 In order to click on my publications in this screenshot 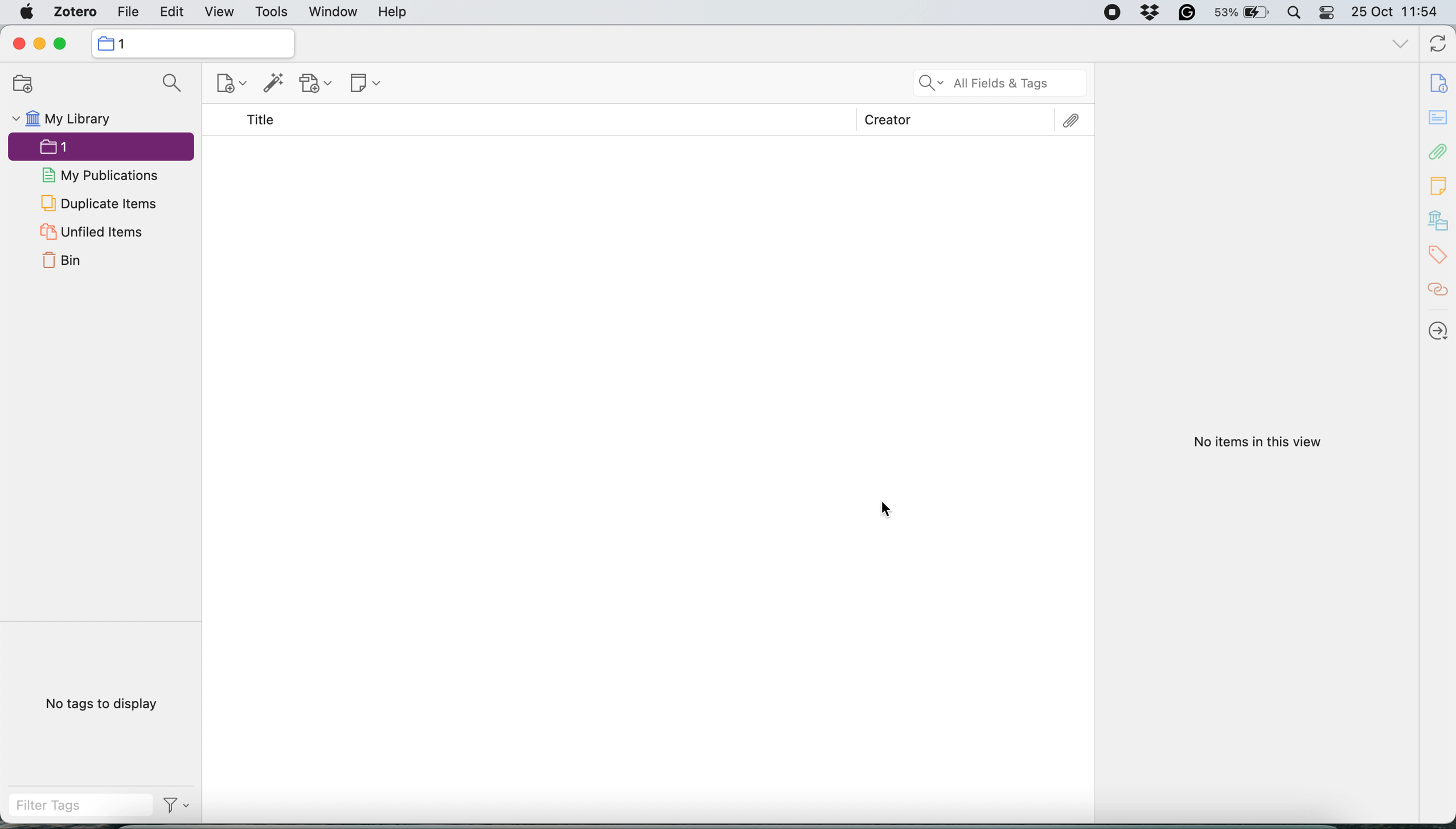, I will do `click(107, 174)`.